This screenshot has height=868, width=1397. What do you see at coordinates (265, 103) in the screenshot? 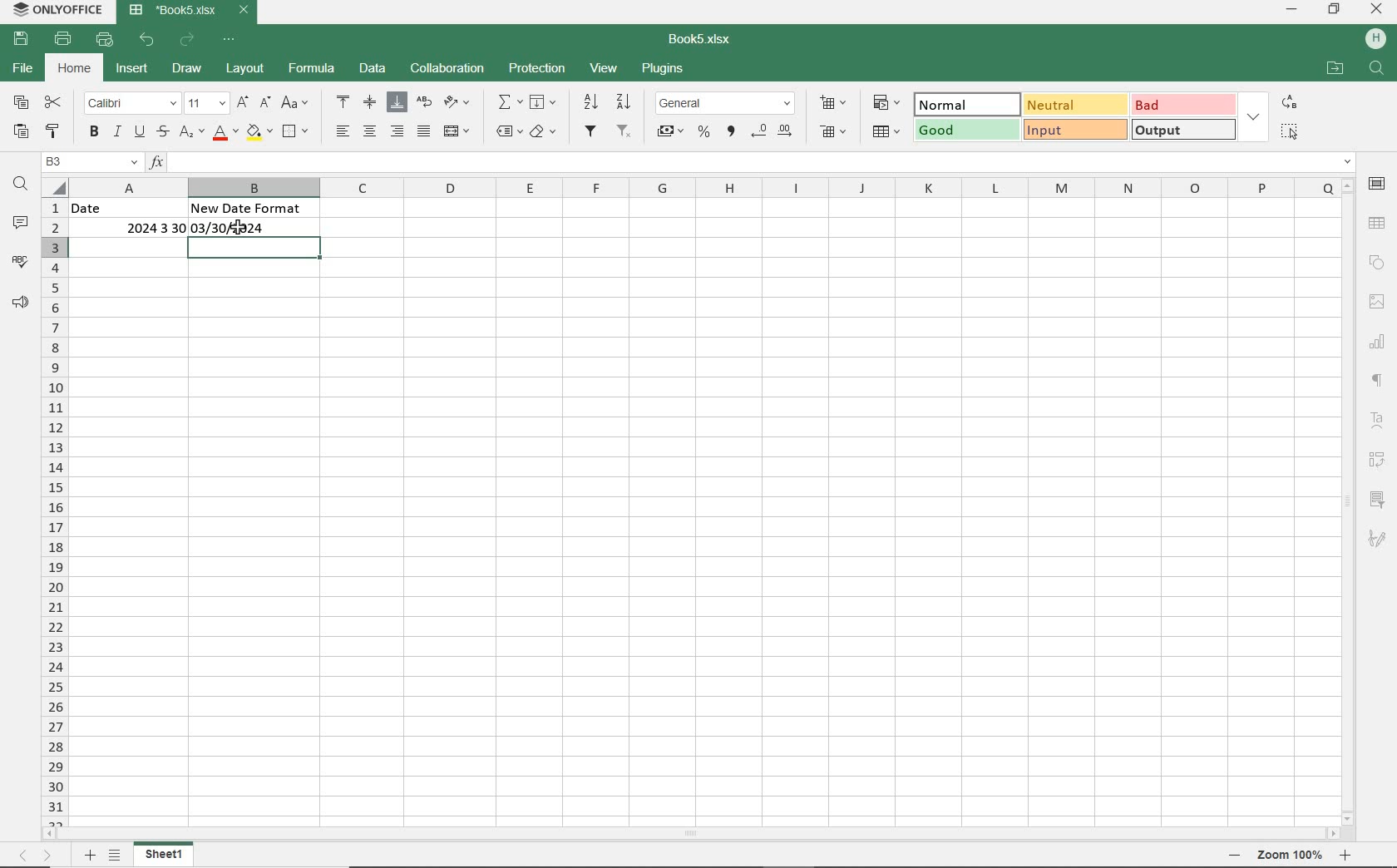
I see `DECREMENT FONT SIZE` at bounding box center [265, 103].